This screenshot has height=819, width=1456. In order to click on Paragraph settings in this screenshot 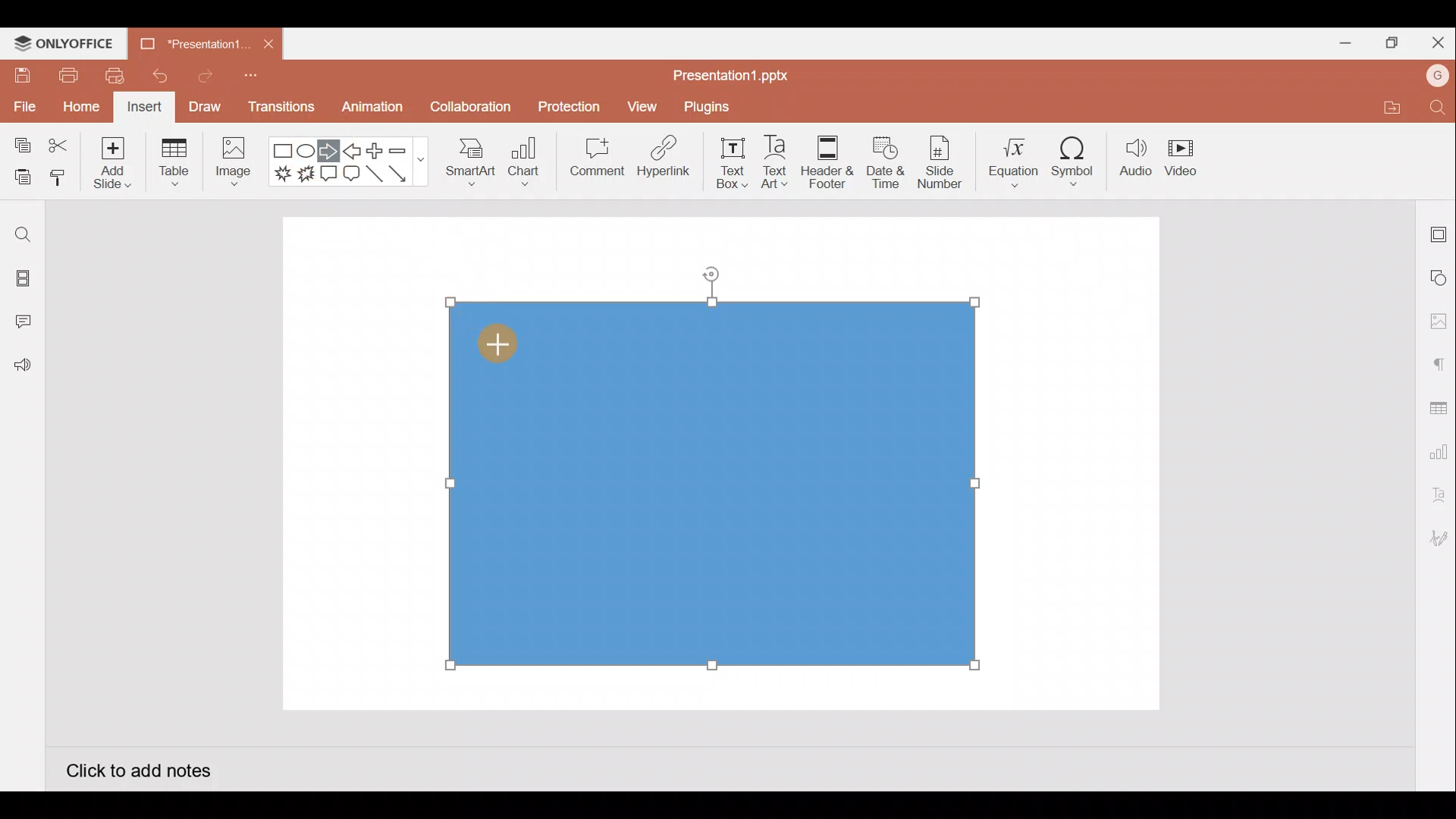, I will do `click(1438, 362)`.